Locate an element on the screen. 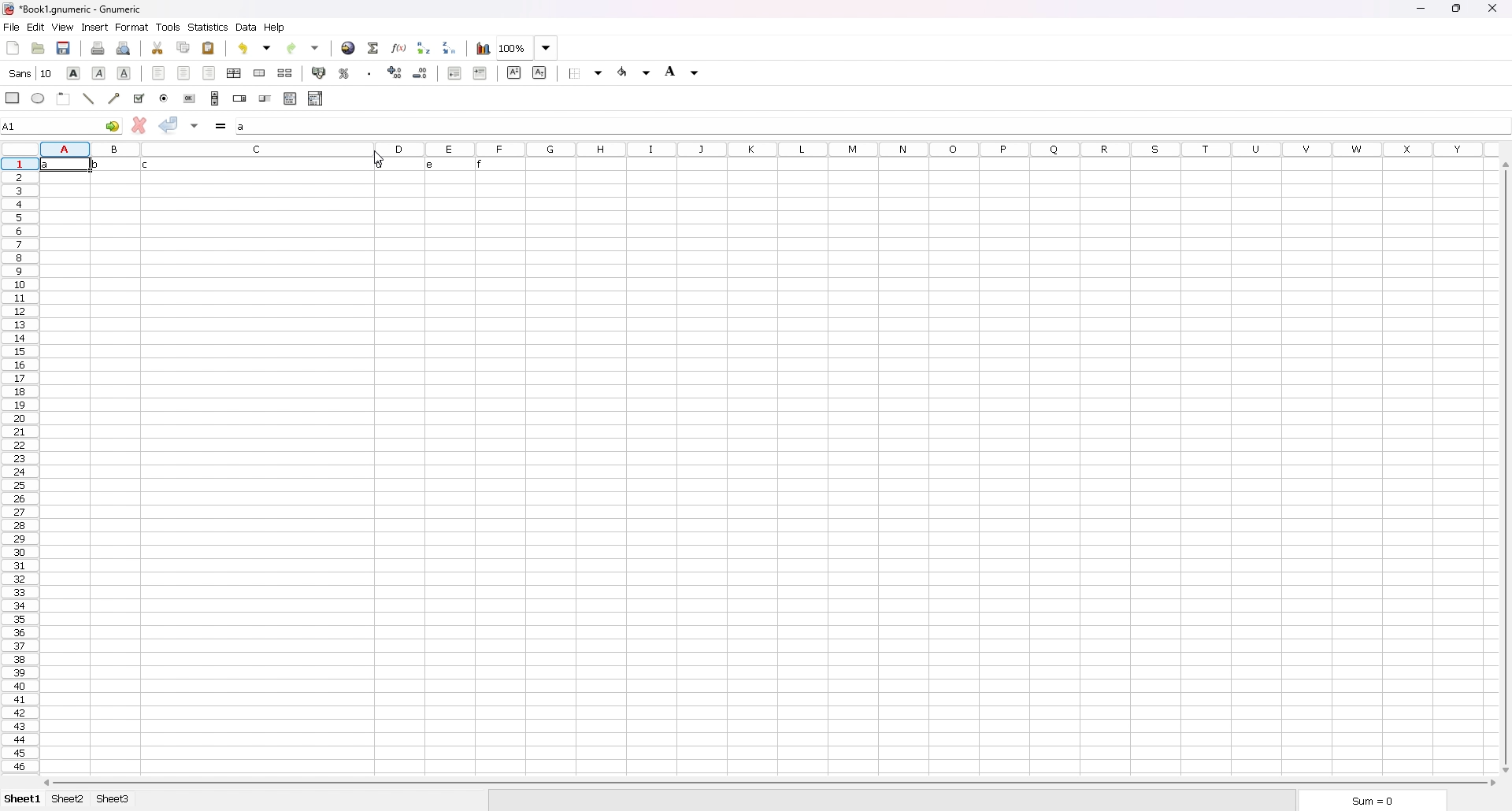  bold is located at coordinates (74, 72).